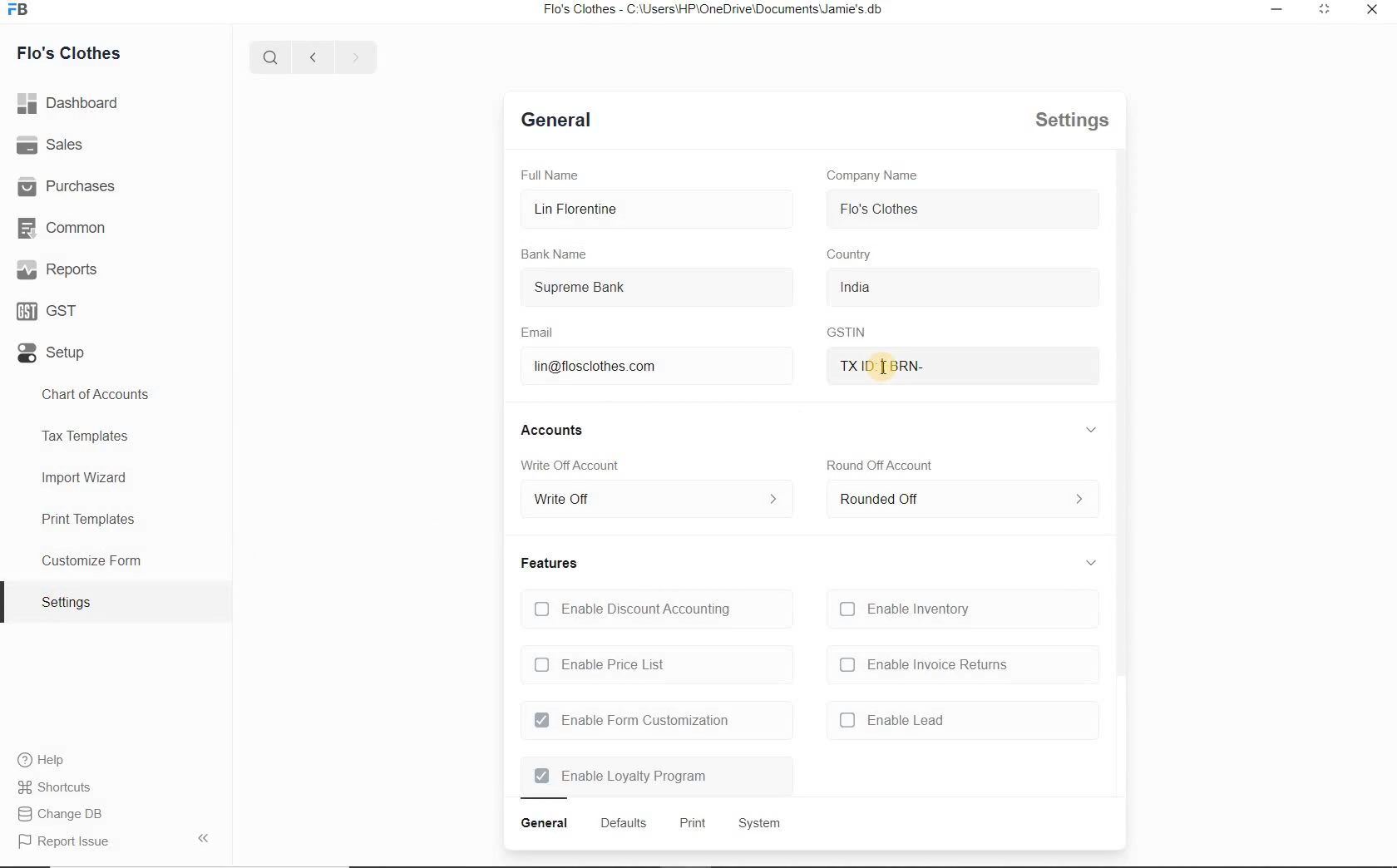 The width and height of the screenshot is (1397, 868). Describe the element at coordinates (877, 287) in the screenshot. I see `india` at that location.